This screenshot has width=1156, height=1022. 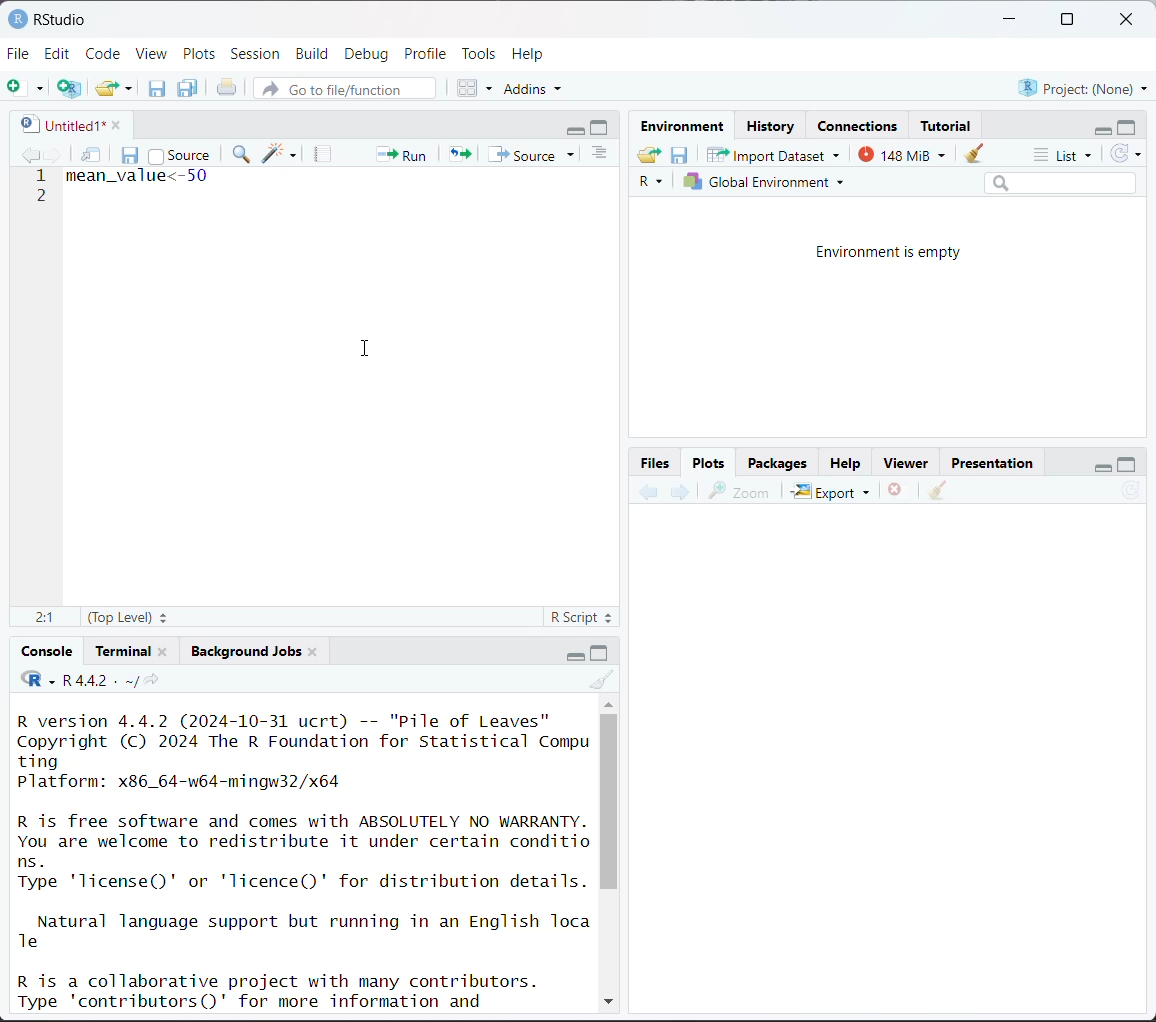 What do you see at coordinates (654, 183) in the screenshot?
I see `R` at bounding box center [654, 183].